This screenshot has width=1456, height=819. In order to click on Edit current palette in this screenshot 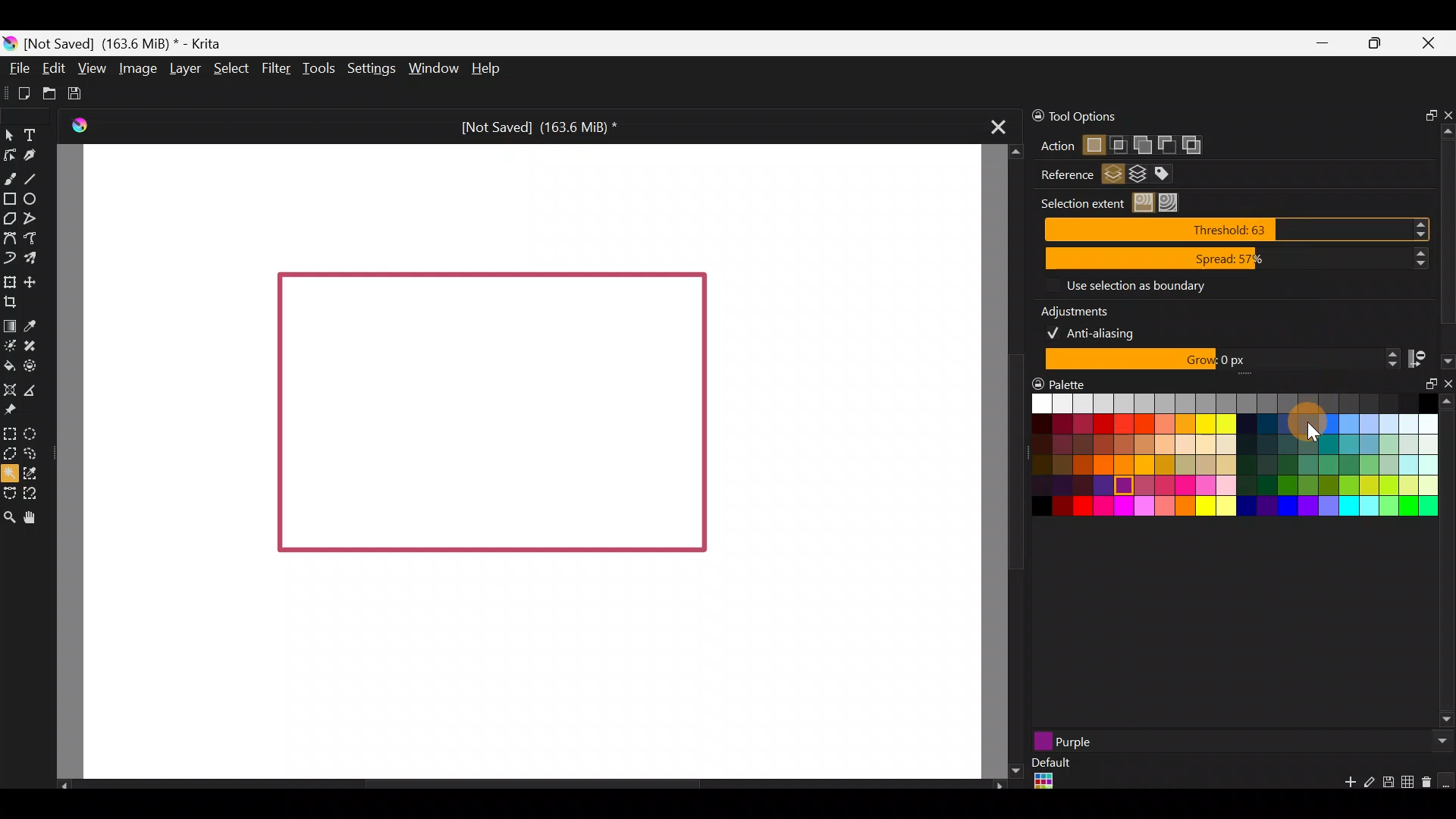, I will do `click(1410, 784)`.